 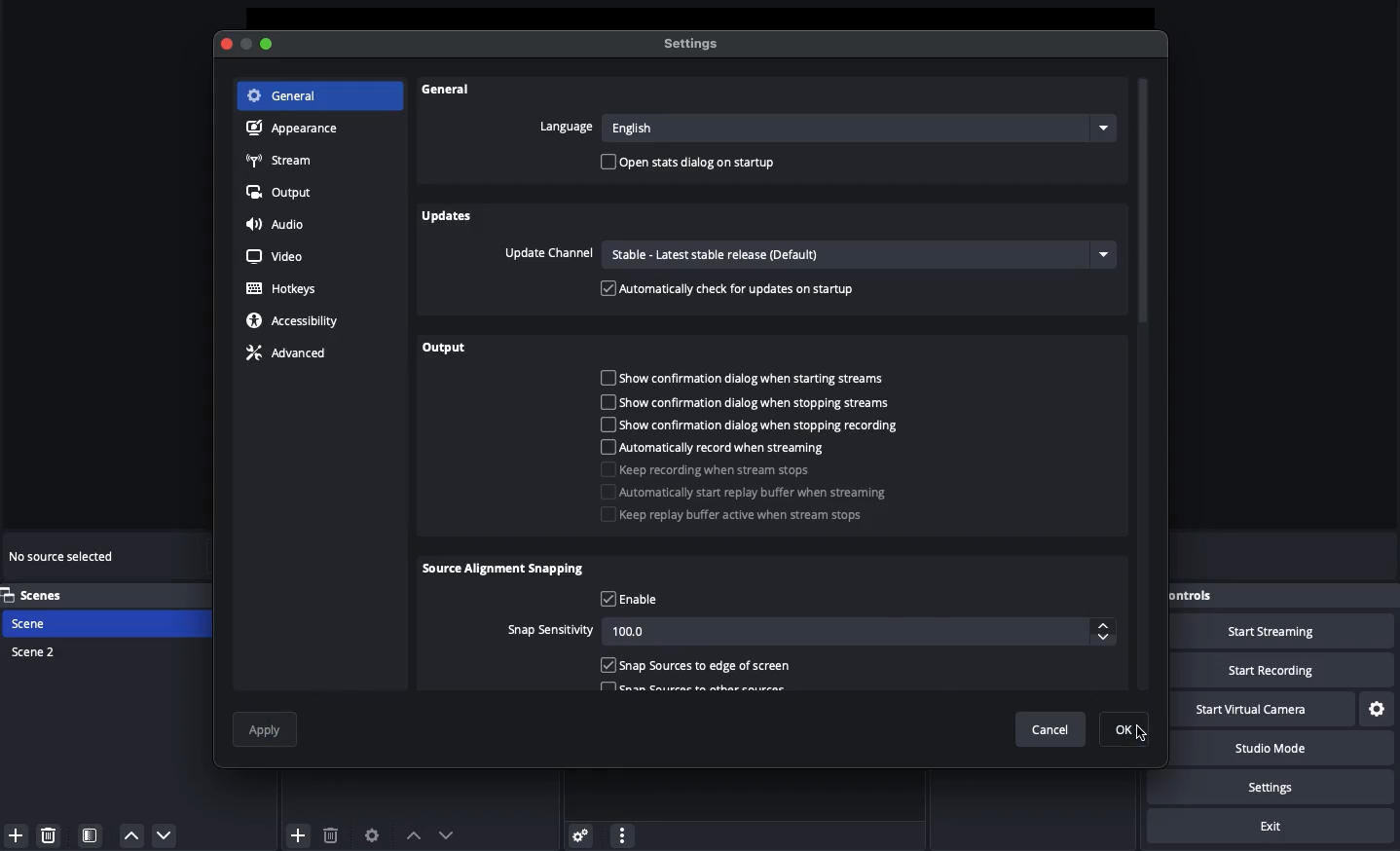 What do you see at coordinates (1379, 707) in the screenshot?
I see `Settings` at bounding box center [1379, 707].